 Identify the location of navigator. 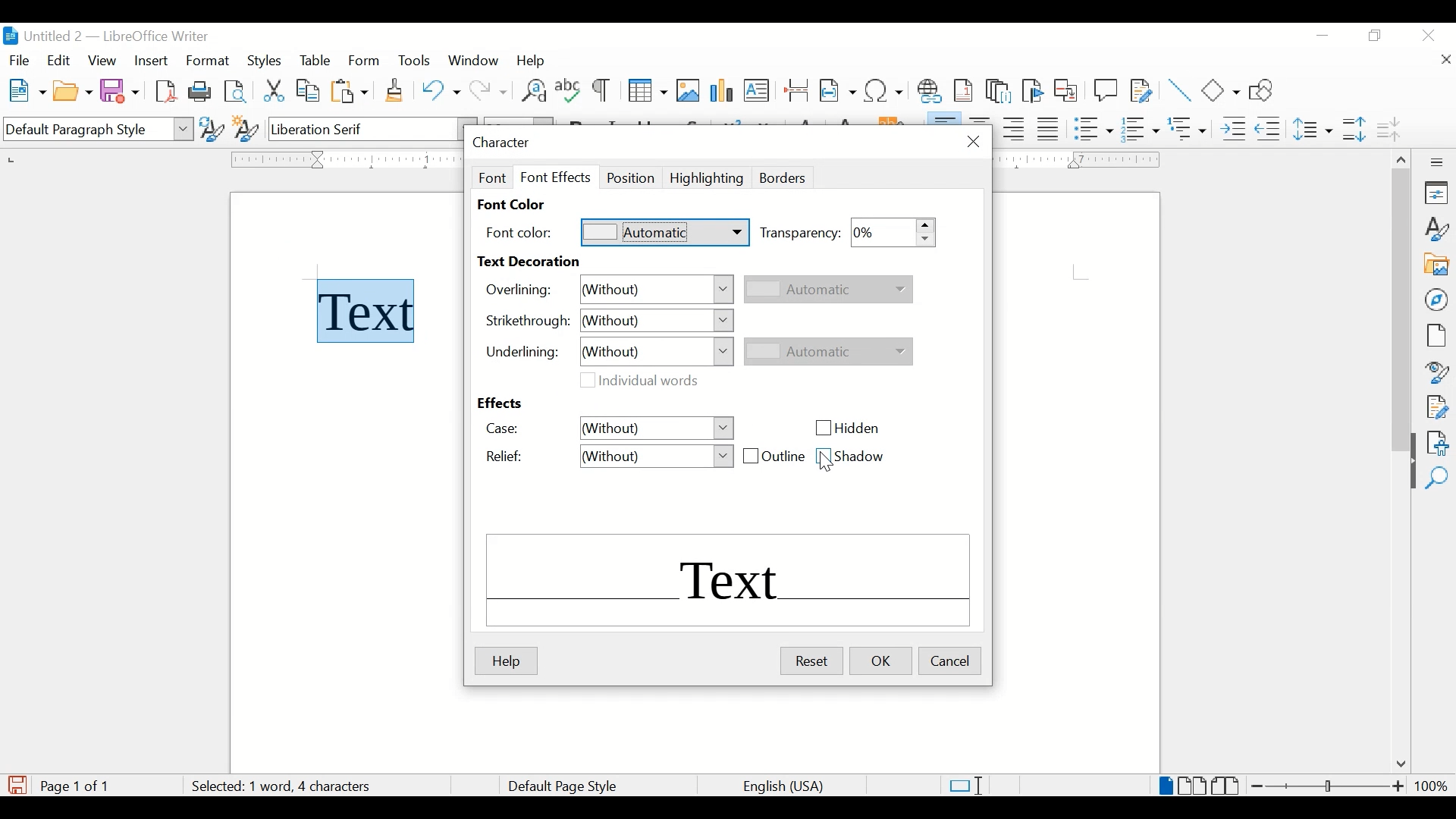
(1438, 300).